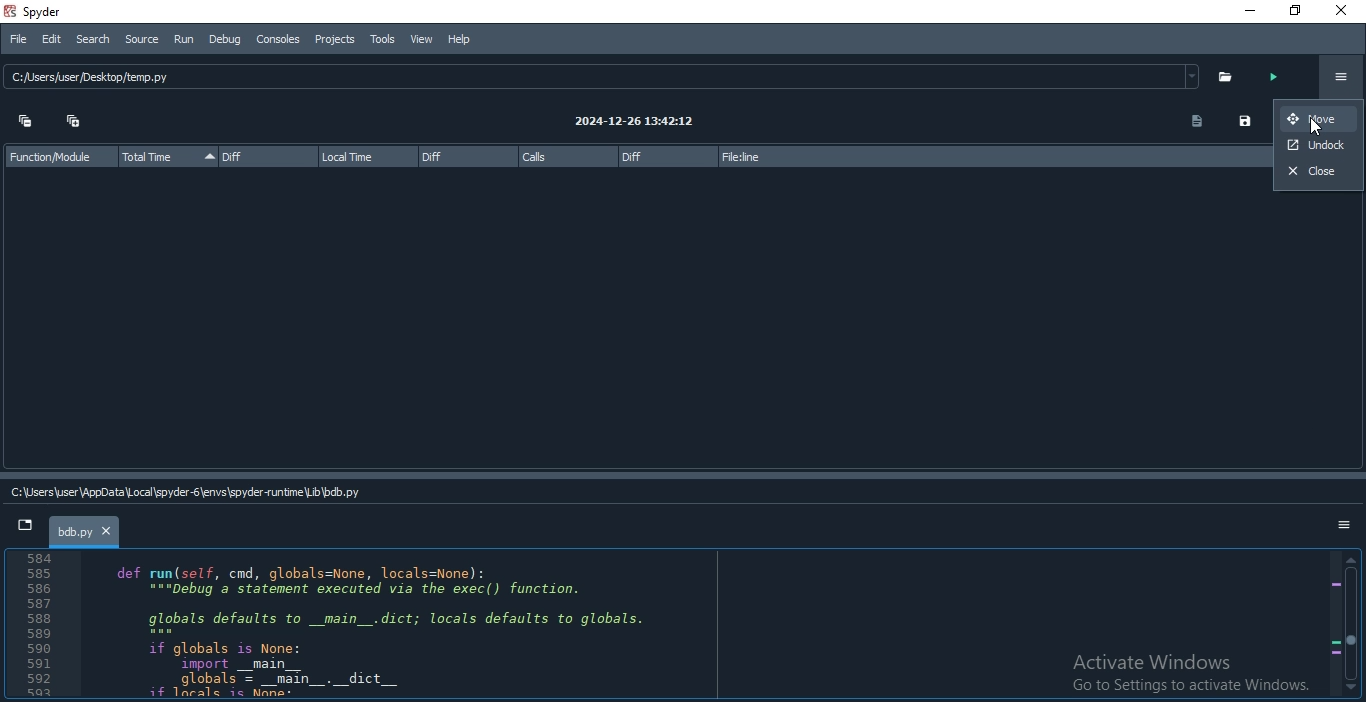  I want to click on Diff, so click(468, 157).